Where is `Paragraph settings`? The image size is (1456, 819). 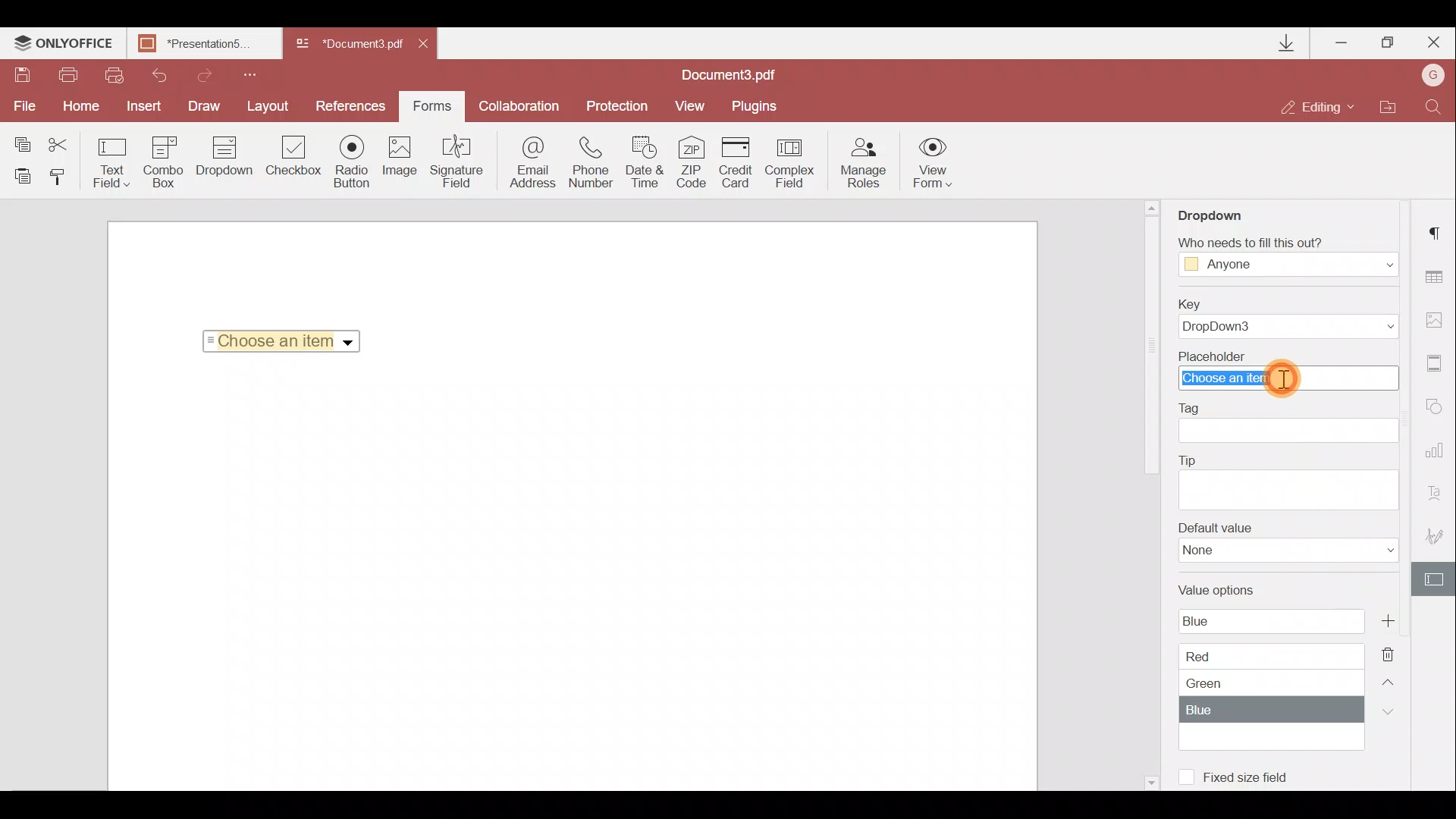 Paragraph settings is located at coordinates (1439, 231).